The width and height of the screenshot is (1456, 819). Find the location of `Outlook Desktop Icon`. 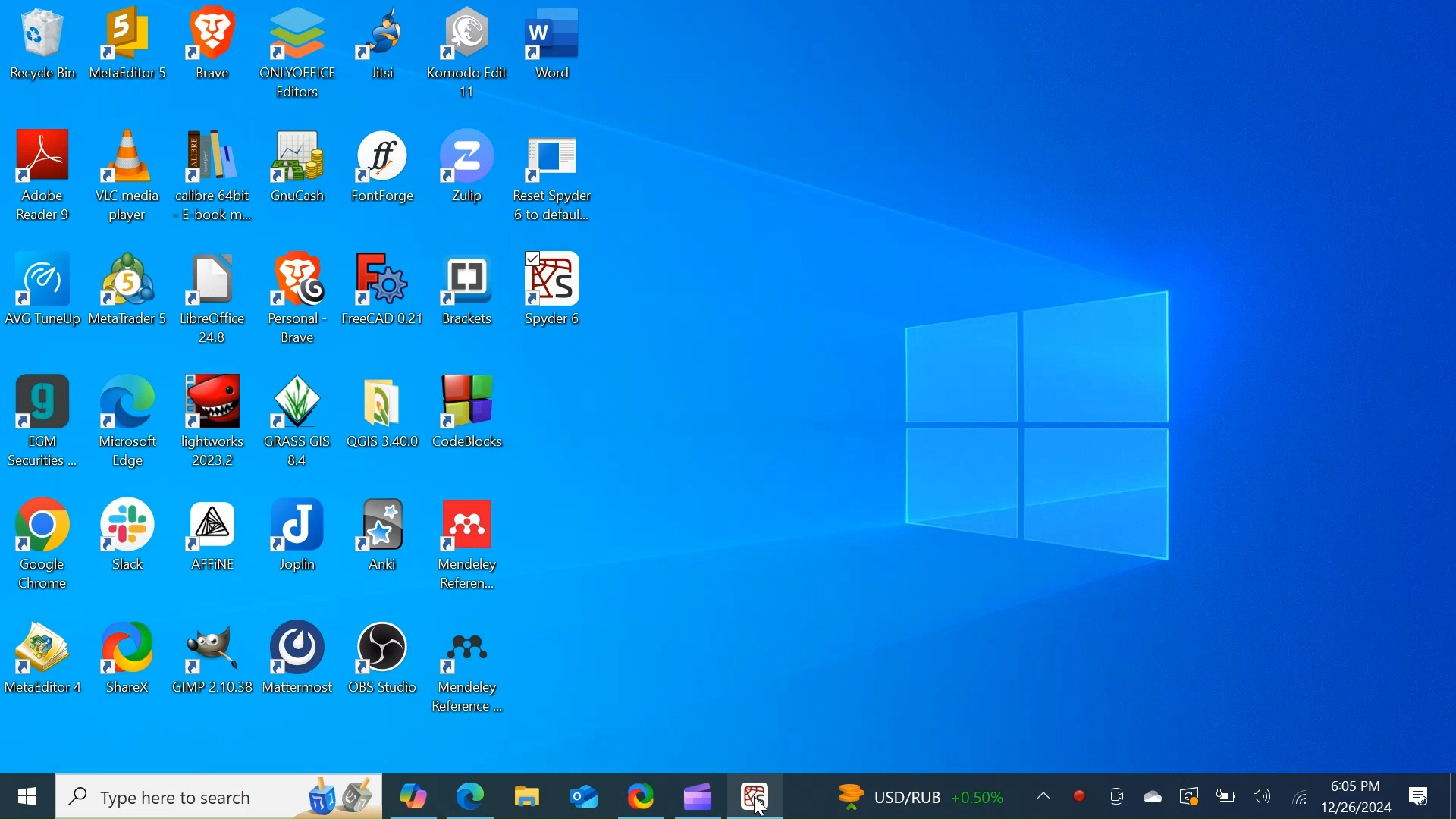

Outlook Desktop Icon is located at coordinates (580, 795).